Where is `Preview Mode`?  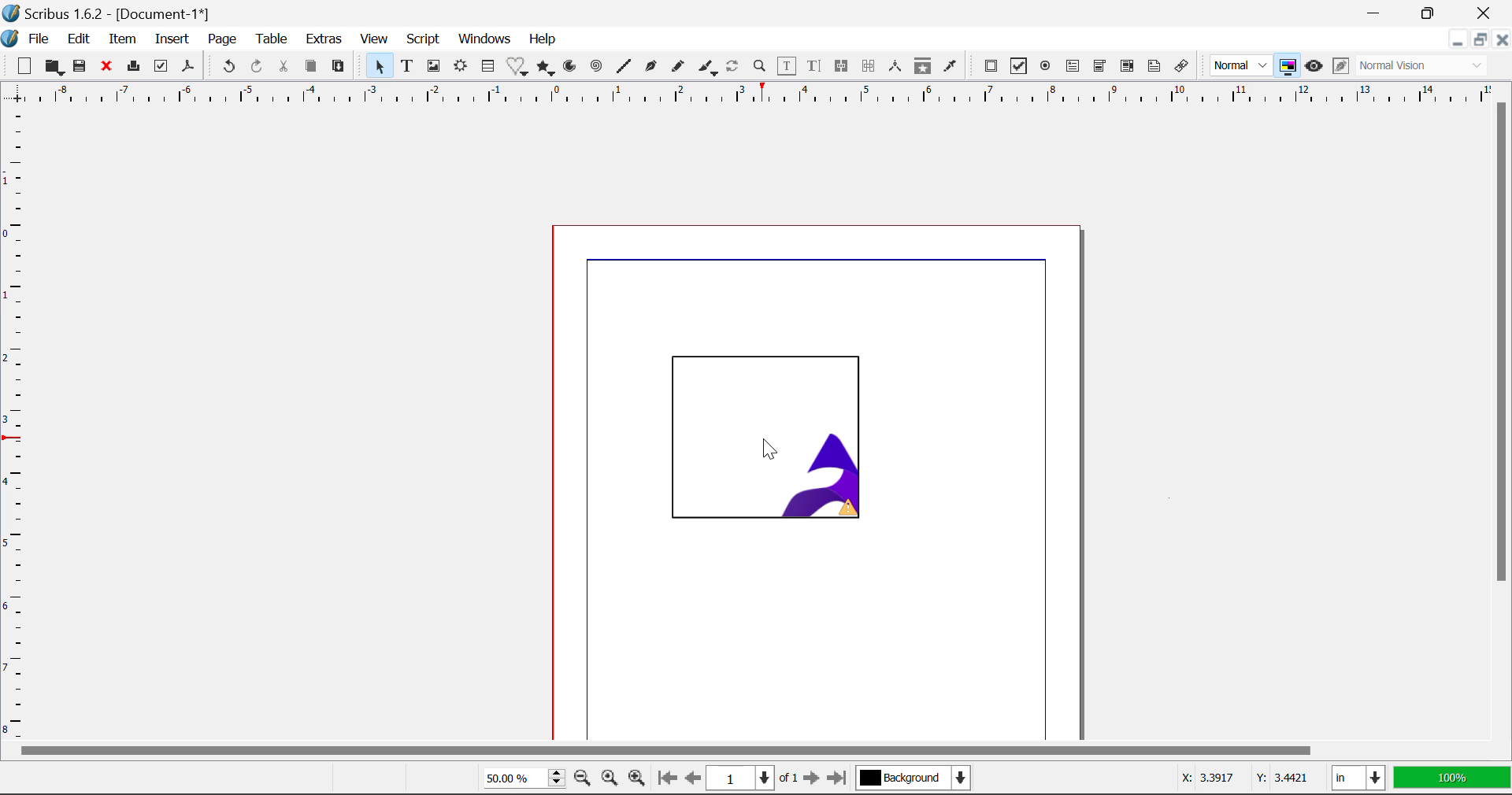 Preview Mode is located at coordinates (1314, 66).